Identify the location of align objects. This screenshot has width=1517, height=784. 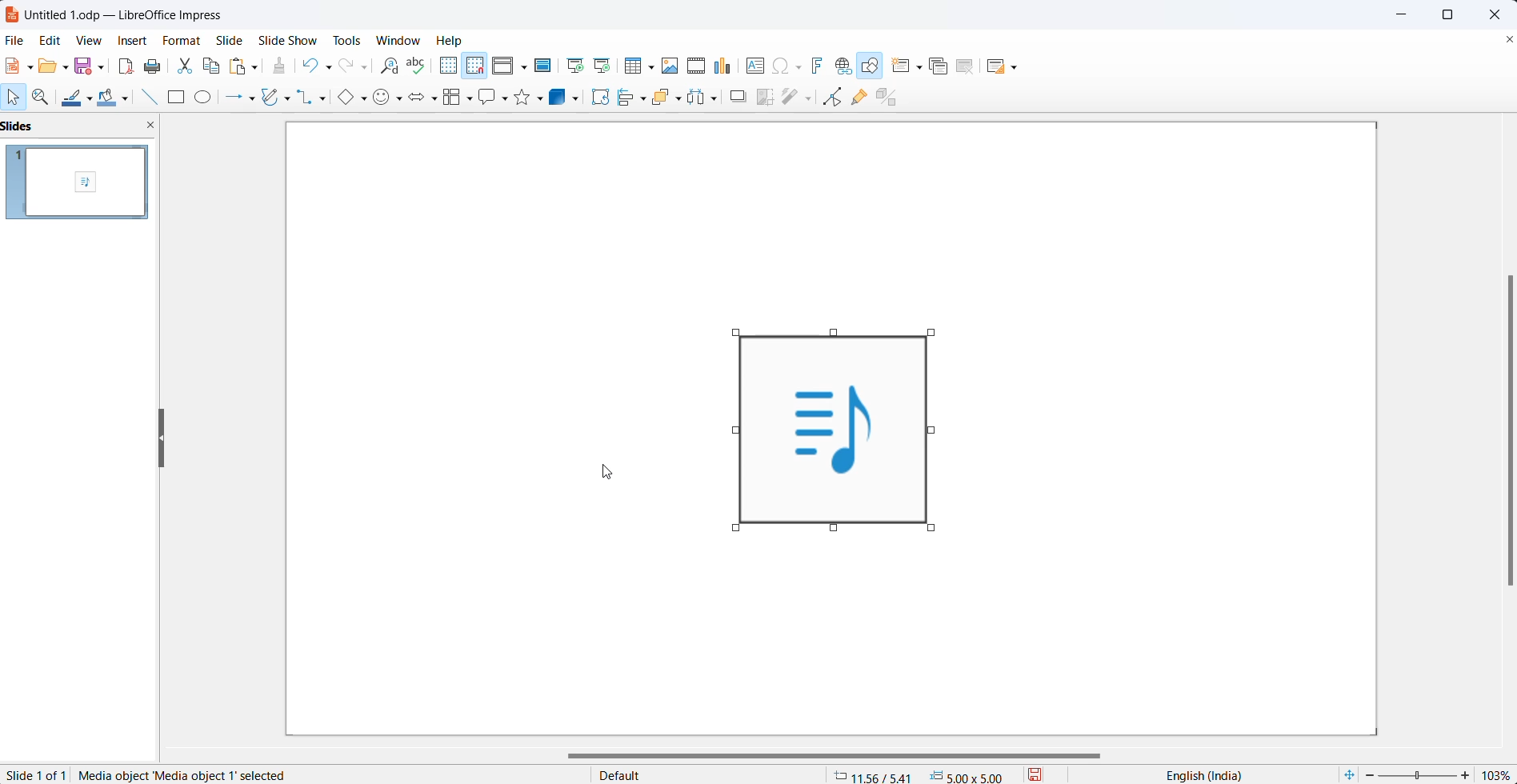
(626, 101).